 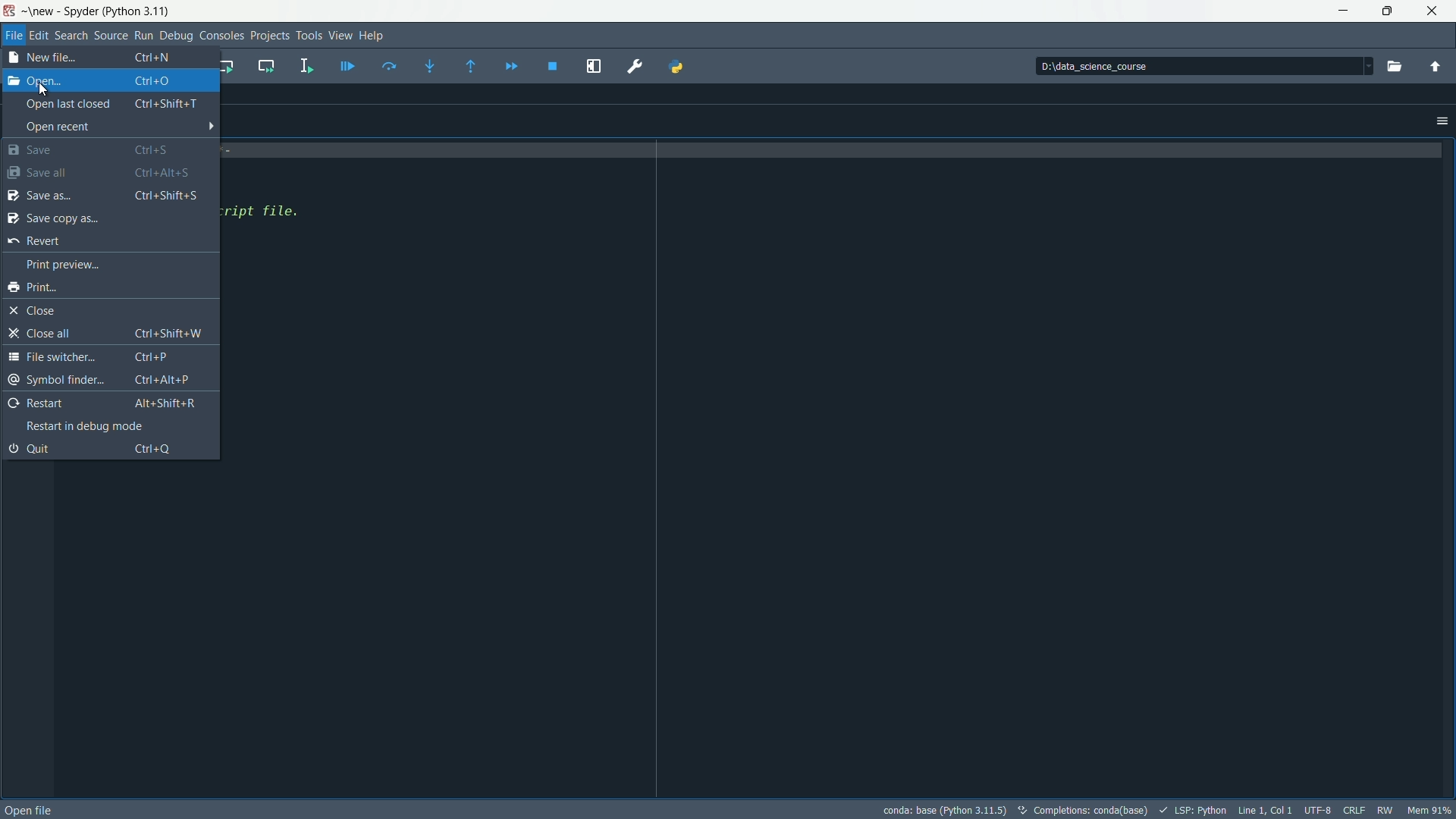 What do you see at coordinates (340, 35) in the screenshot?
I see `view menu` at bounding box center [340, 35].